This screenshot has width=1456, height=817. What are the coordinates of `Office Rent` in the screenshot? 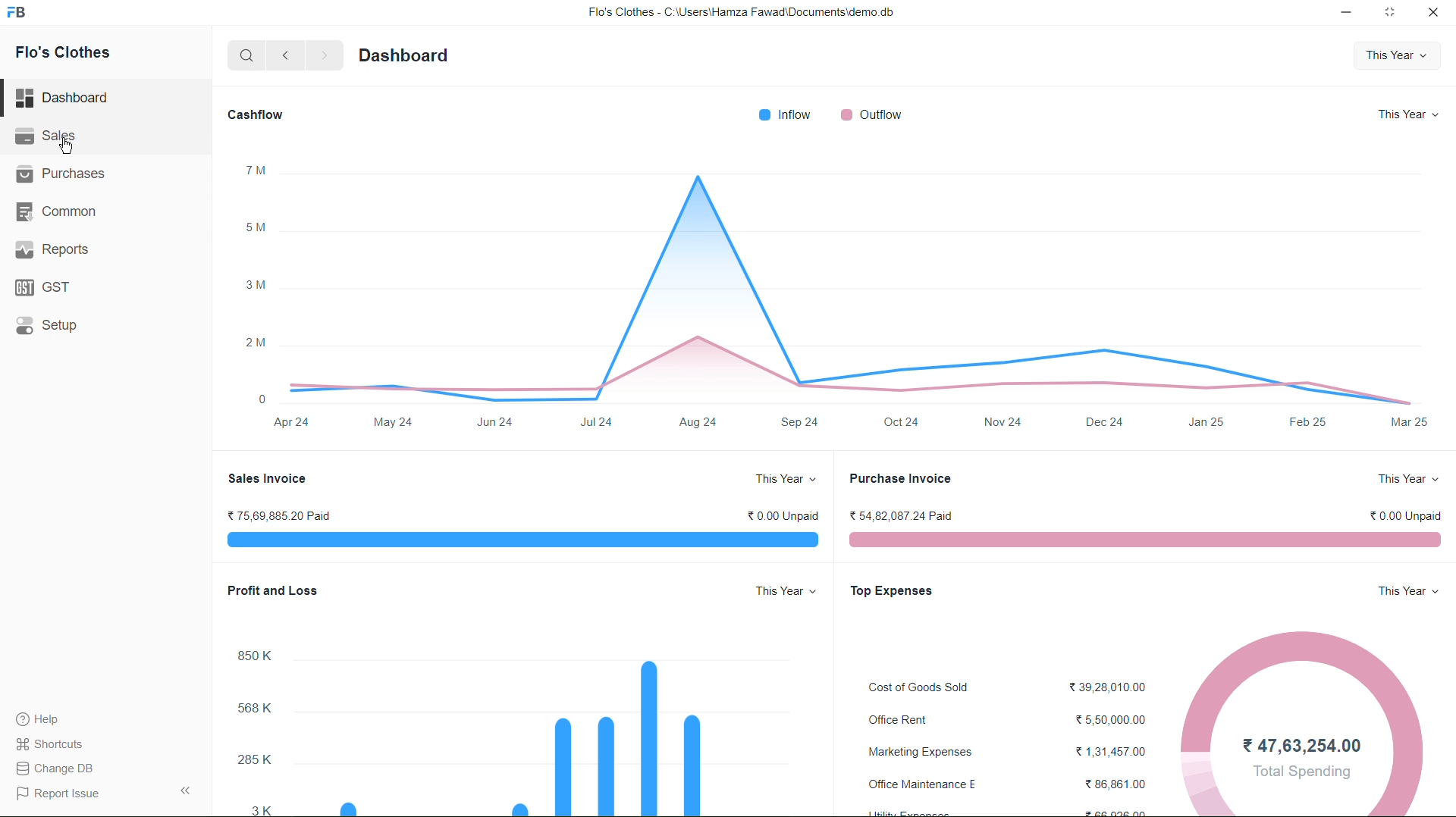 It's located at (898, 719).